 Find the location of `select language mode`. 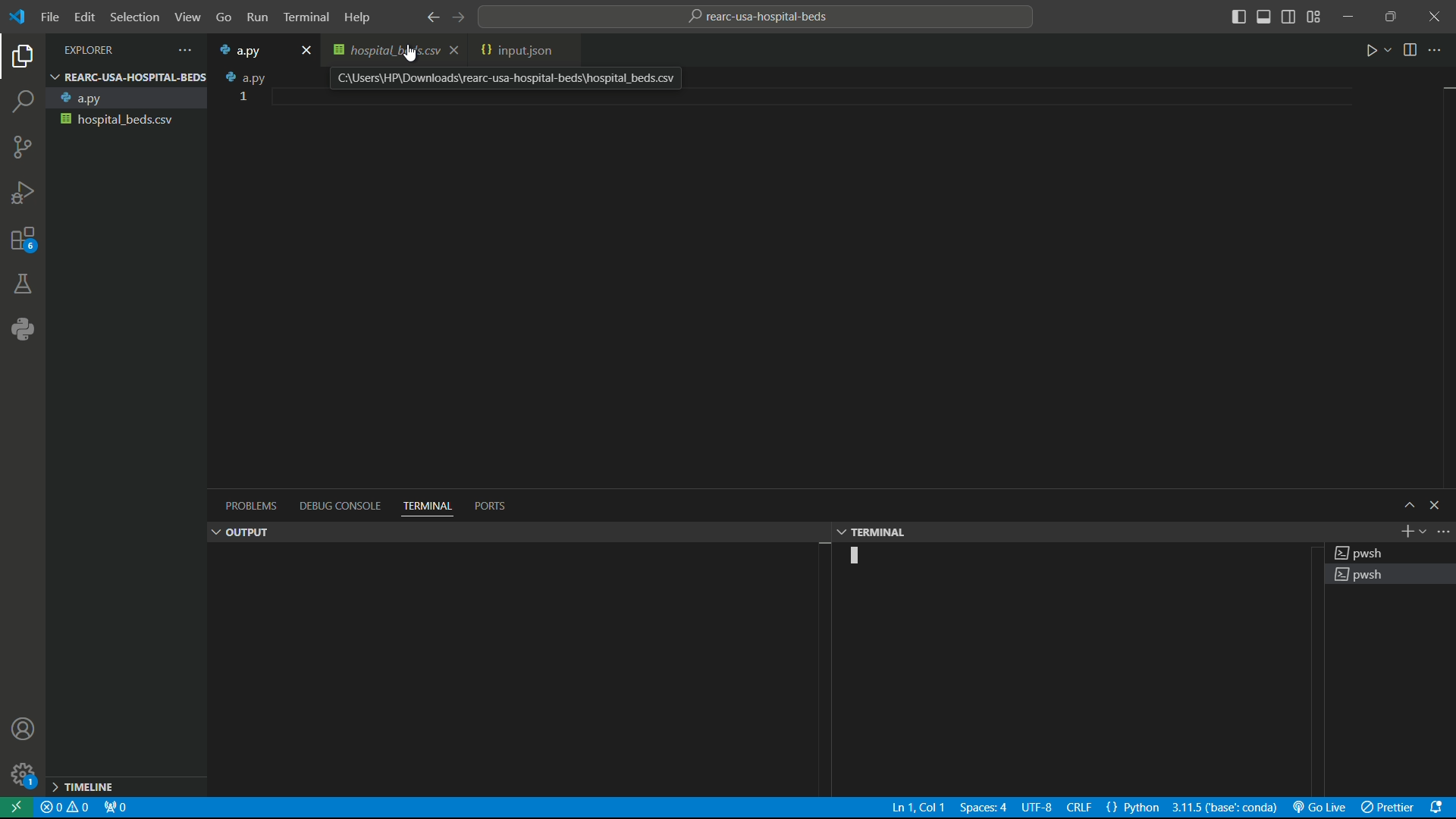

select language mode is located at coordinates (1135, 808).